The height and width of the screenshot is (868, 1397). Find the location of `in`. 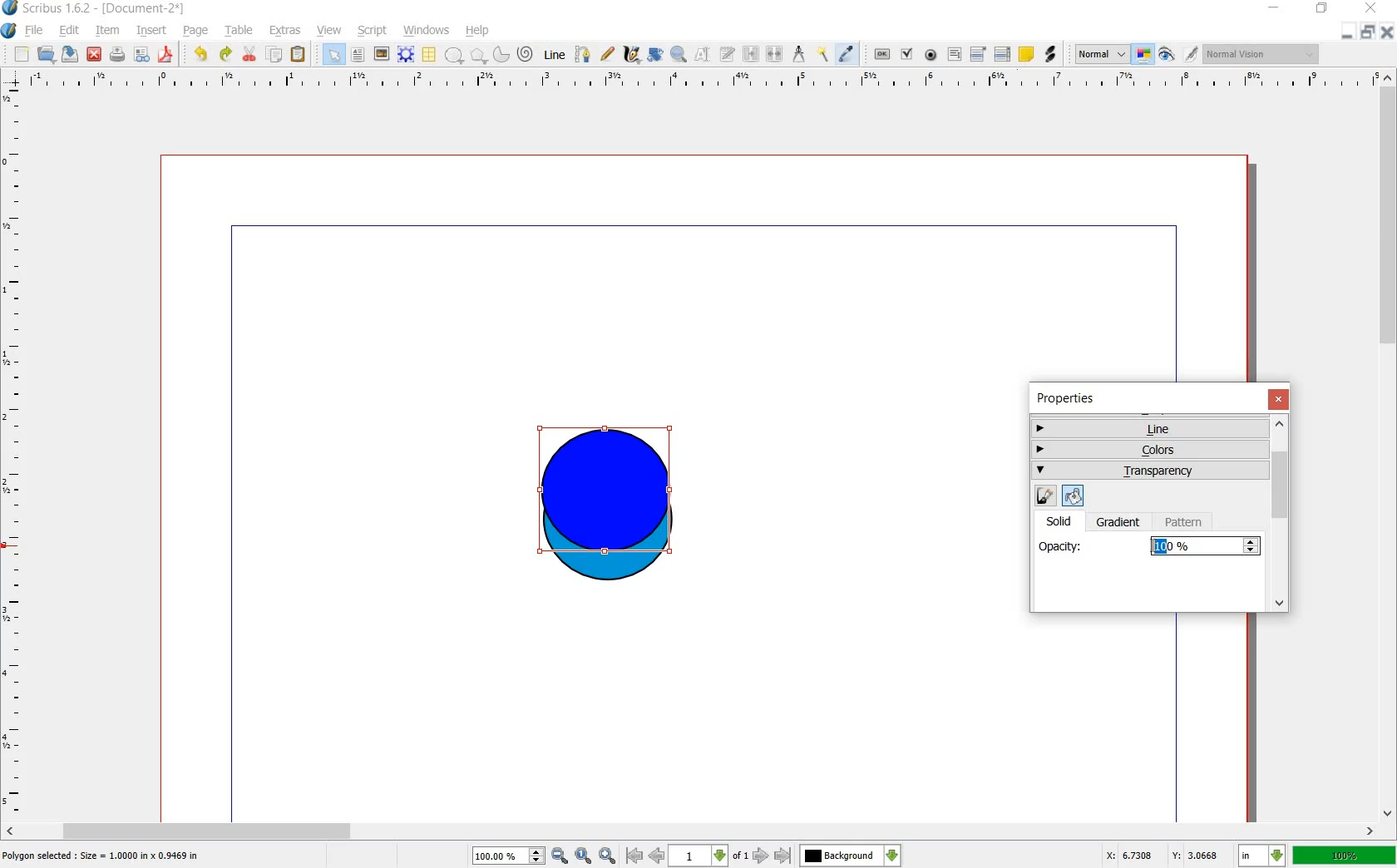

in is located at coordinates (1261, 856).